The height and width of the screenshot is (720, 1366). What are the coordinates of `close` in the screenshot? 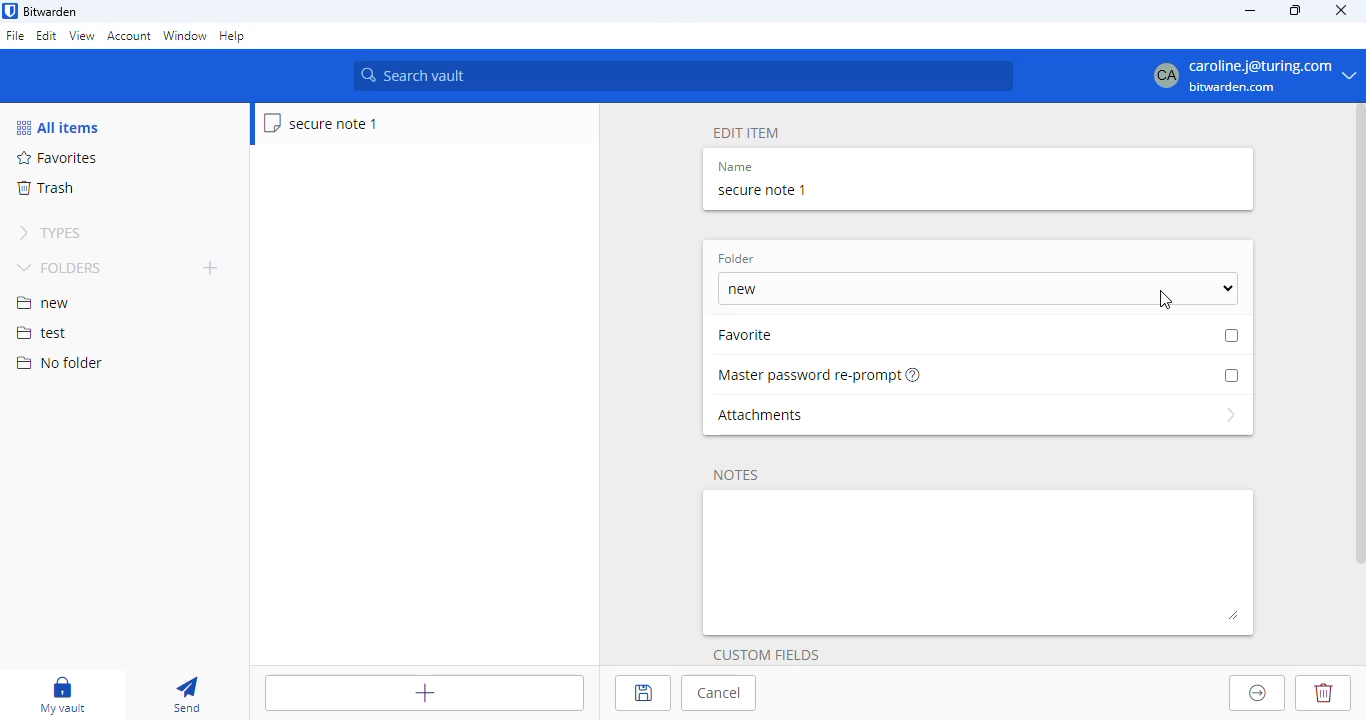 It's located at (1342, 9).